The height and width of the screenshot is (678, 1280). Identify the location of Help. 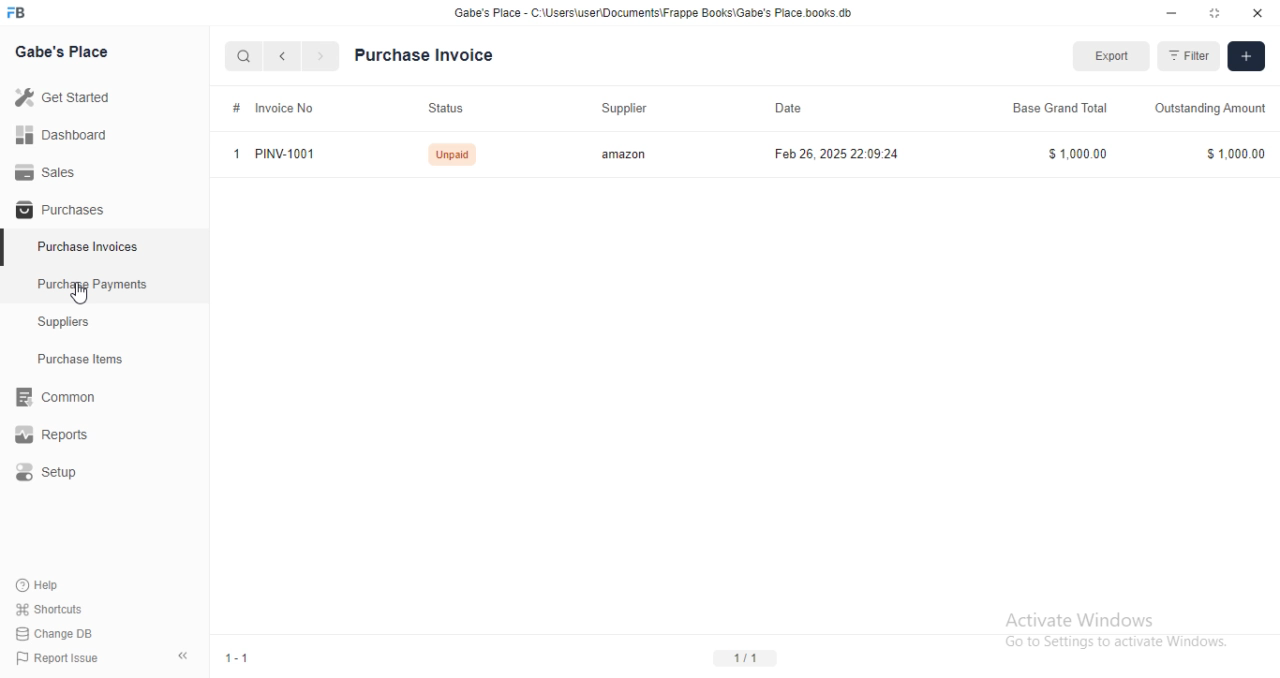
(40, 586).